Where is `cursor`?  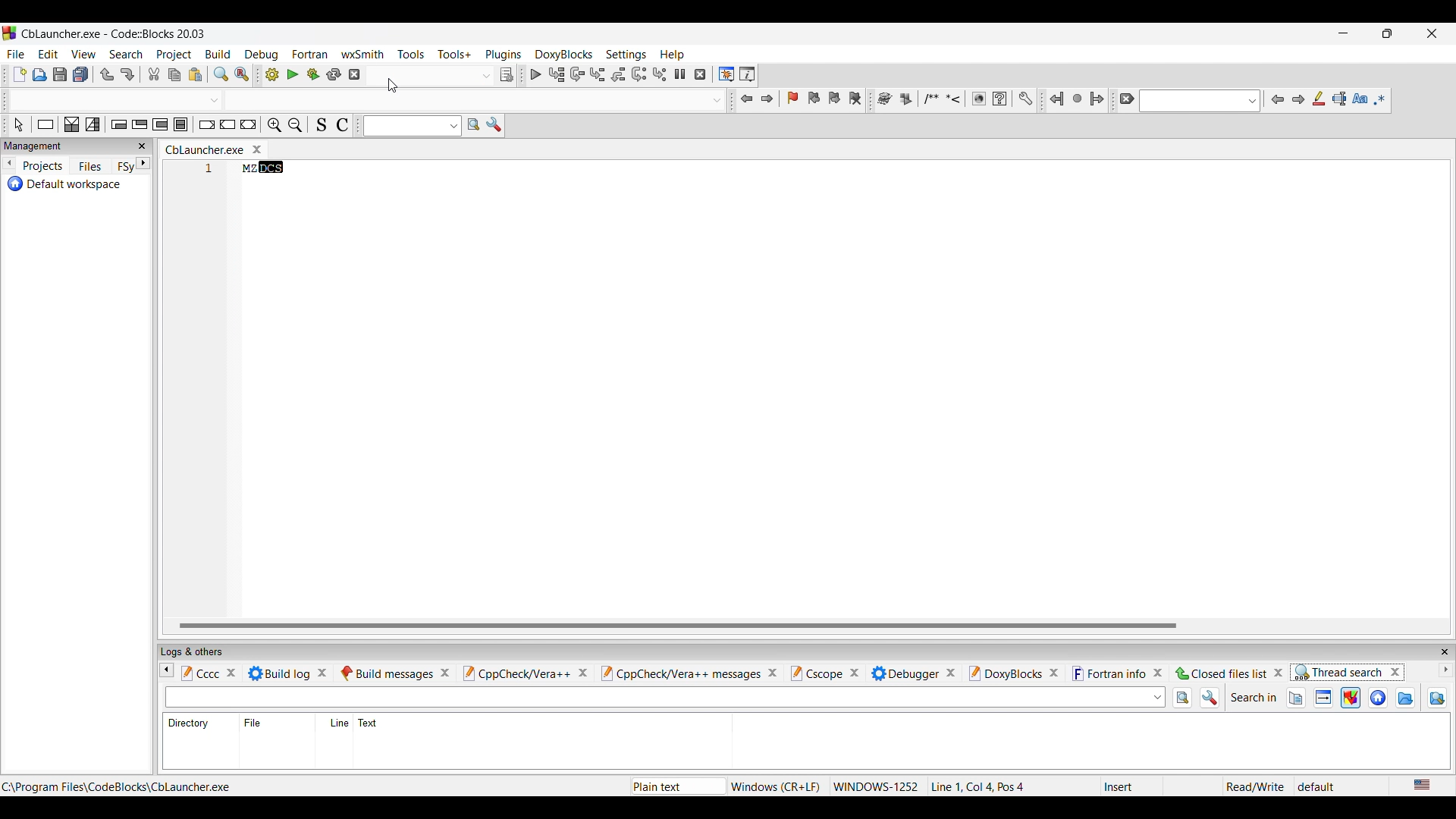 cursor is located at coordinates (396, 87).